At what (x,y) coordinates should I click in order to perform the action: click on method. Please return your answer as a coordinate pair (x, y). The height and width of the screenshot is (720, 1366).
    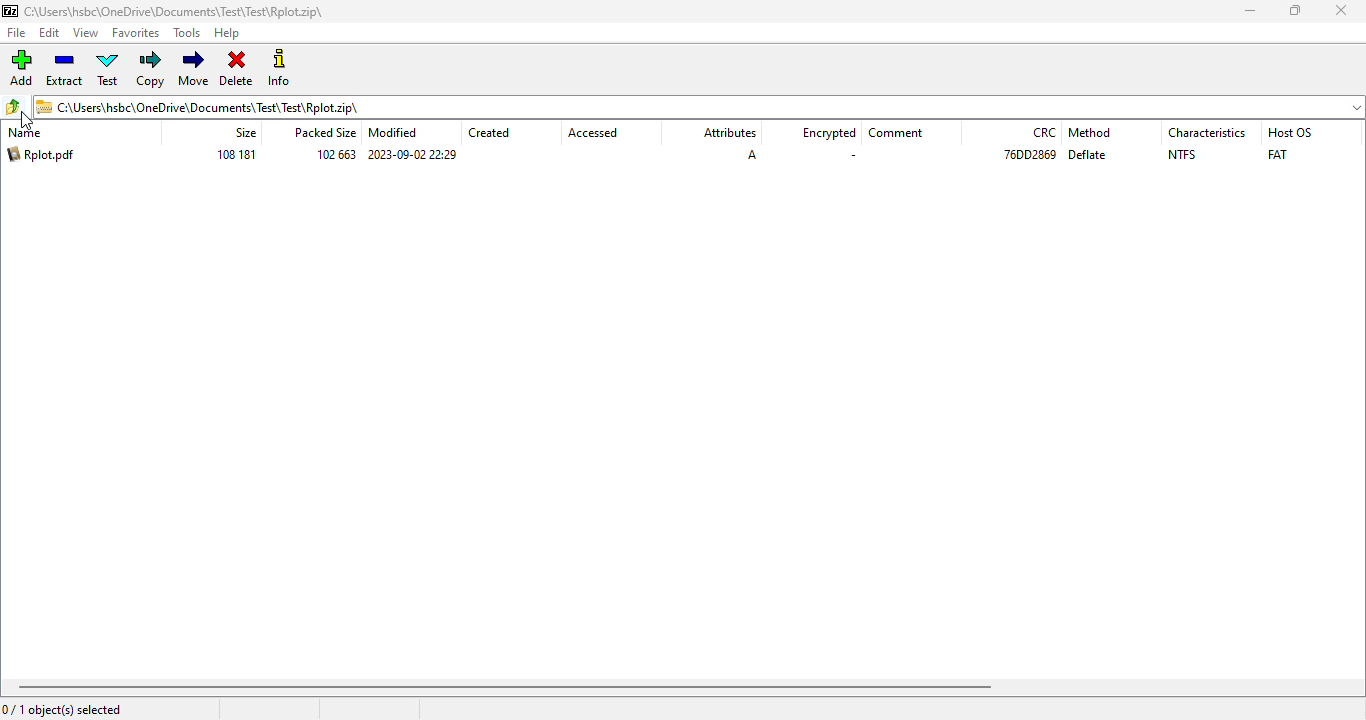
    Looking at the image, I should click on (1090, 133).